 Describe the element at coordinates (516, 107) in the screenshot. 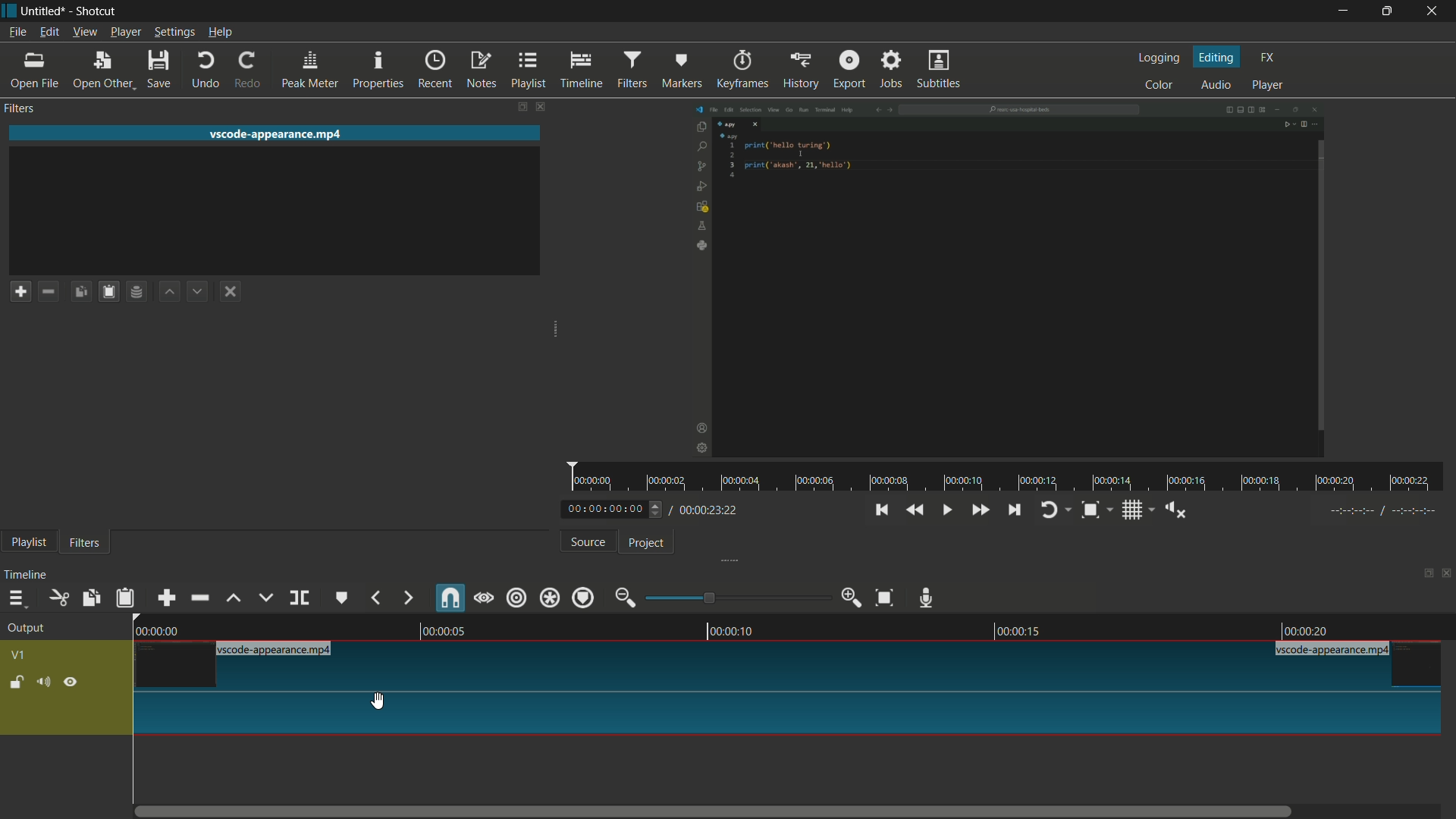

I see `change layout` at that location.